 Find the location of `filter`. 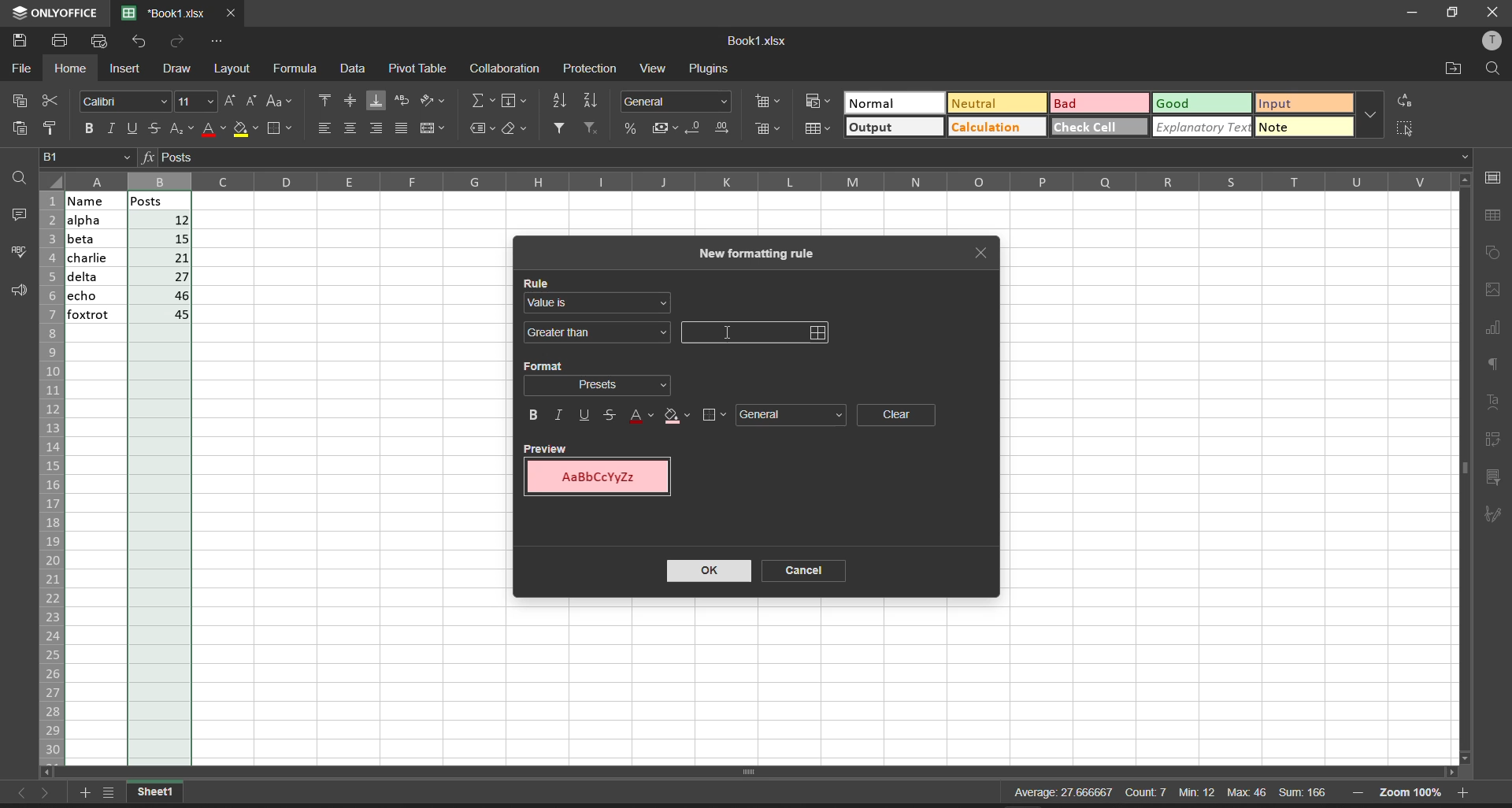

filter is located at coordinates (555, 128).